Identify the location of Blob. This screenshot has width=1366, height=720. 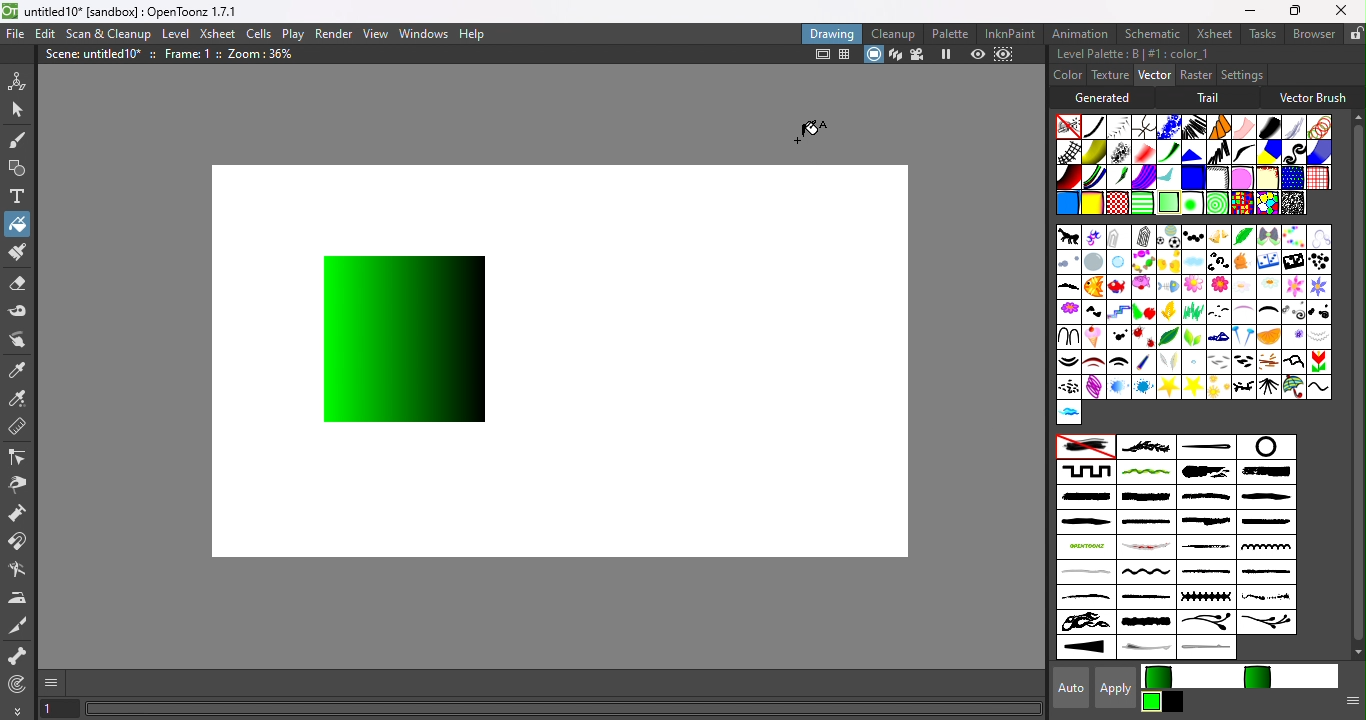
(1242, 177).